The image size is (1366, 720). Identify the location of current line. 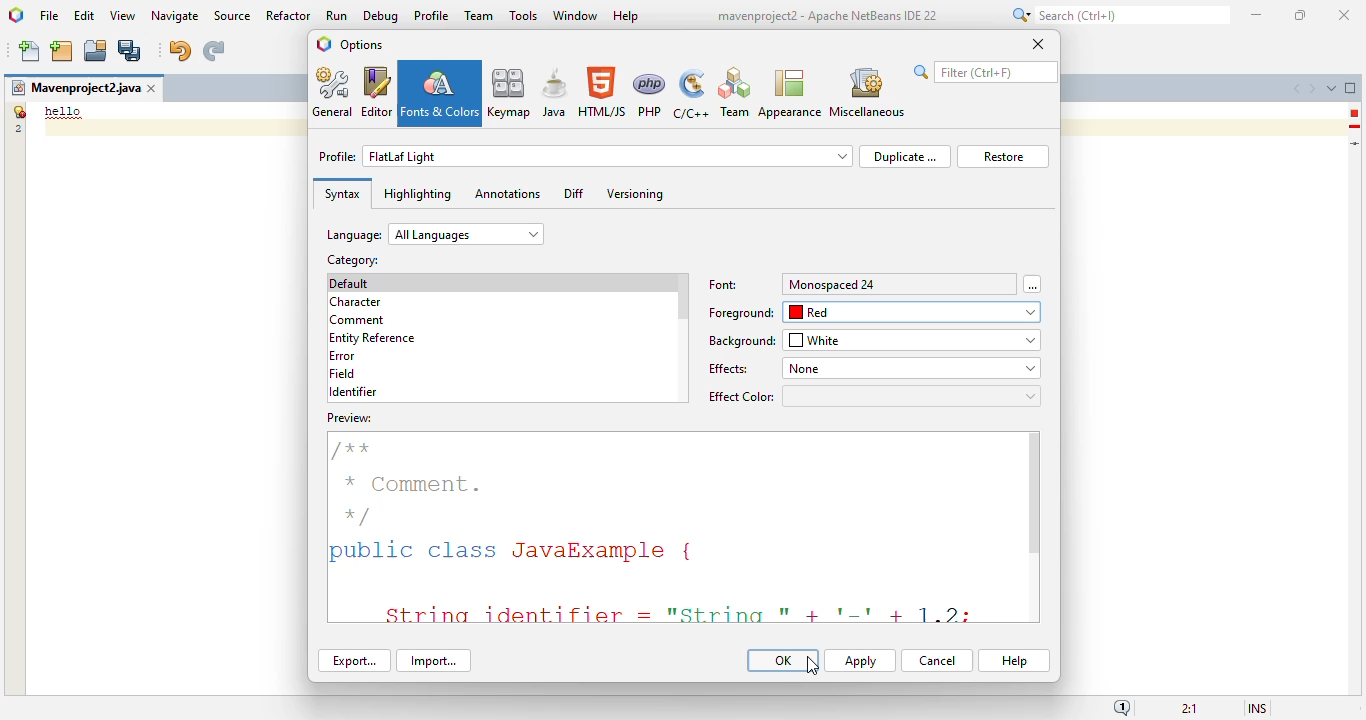
(1356, 143).